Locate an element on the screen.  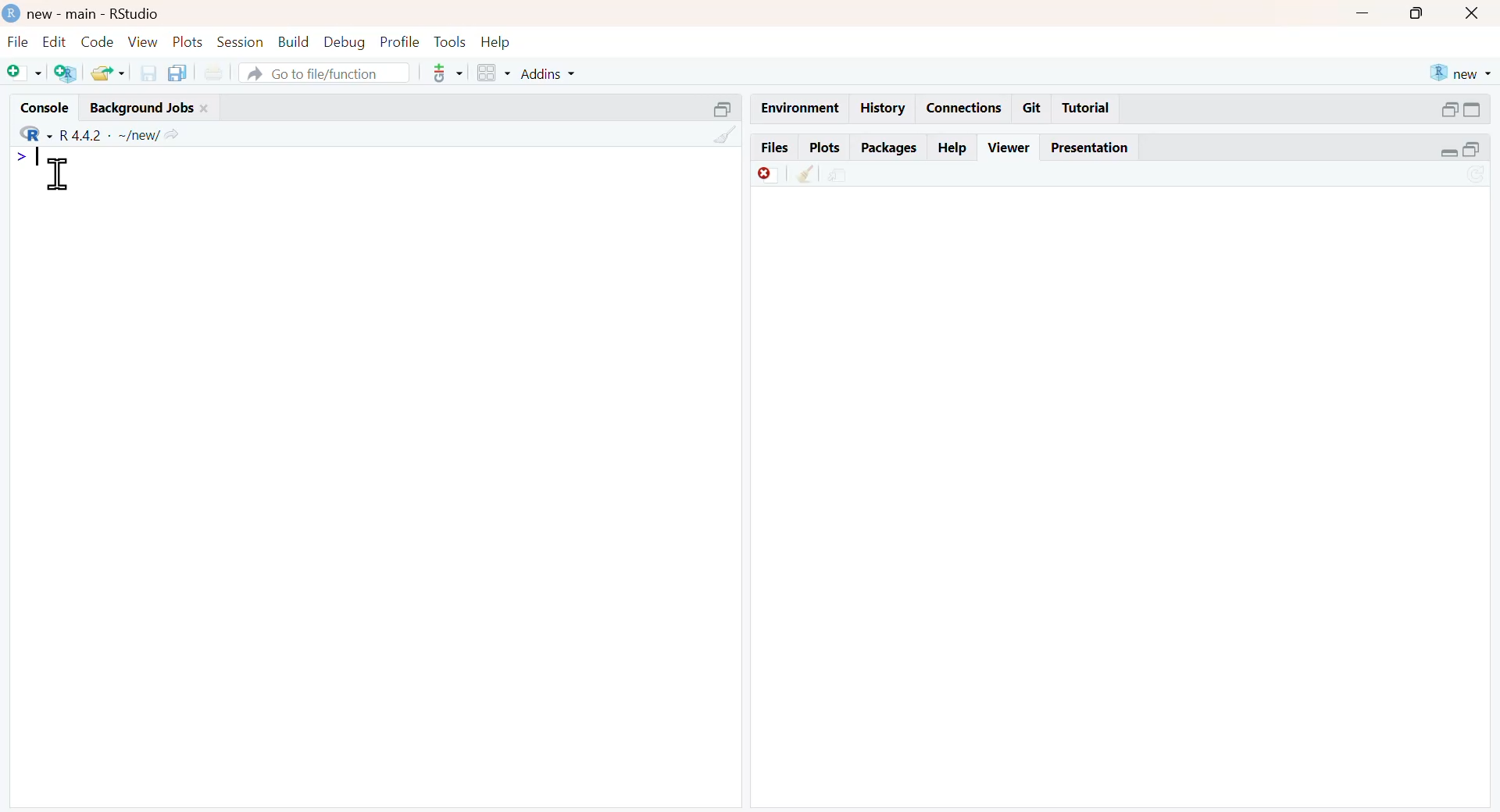
copy is located at coordinates (177, 73).